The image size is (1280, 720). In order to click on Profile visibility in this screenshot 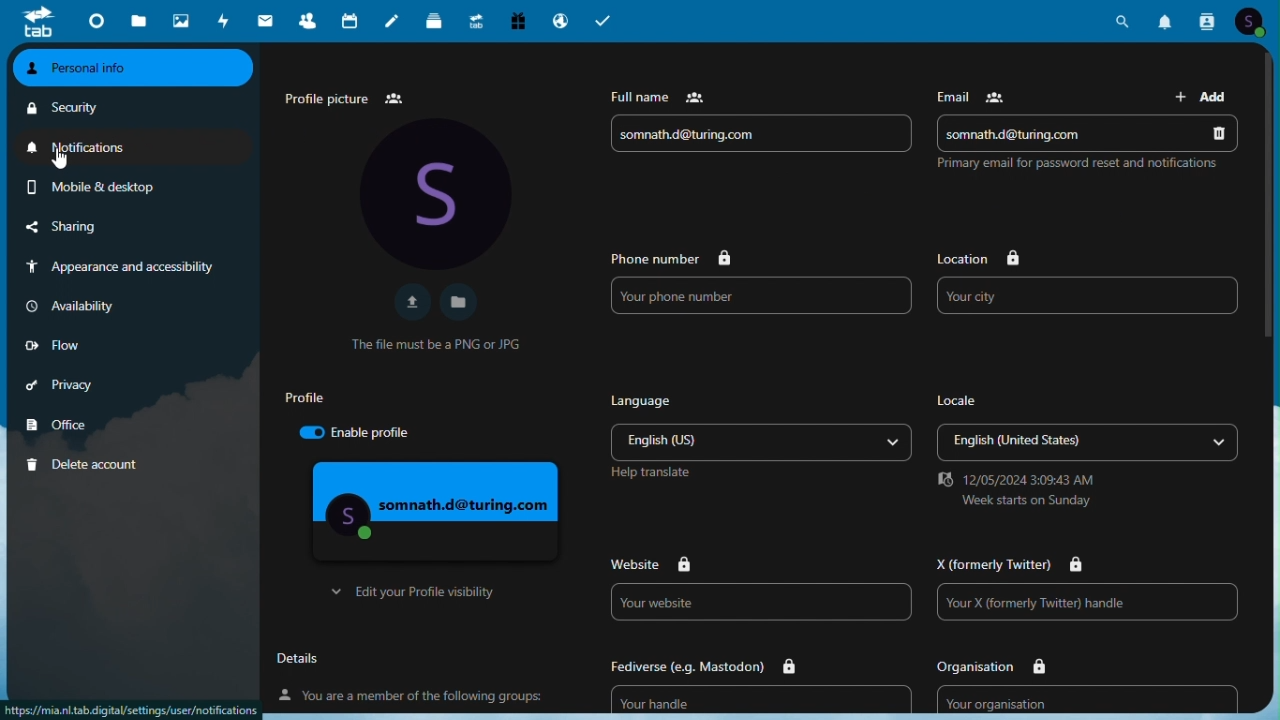, I will do `click(435, 533)`.